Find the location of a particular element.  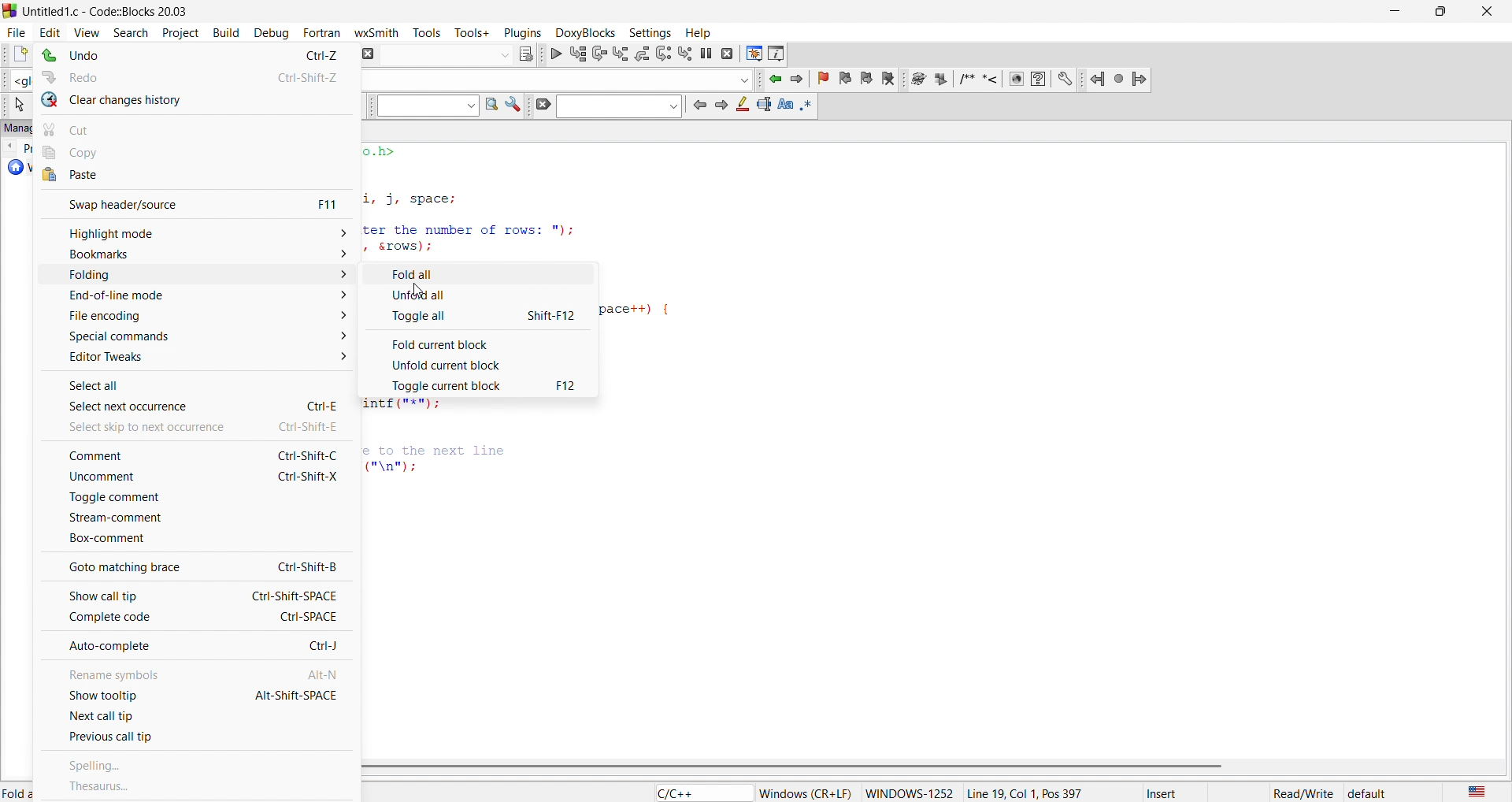

swap header/source is located at coordinates (192, 202).